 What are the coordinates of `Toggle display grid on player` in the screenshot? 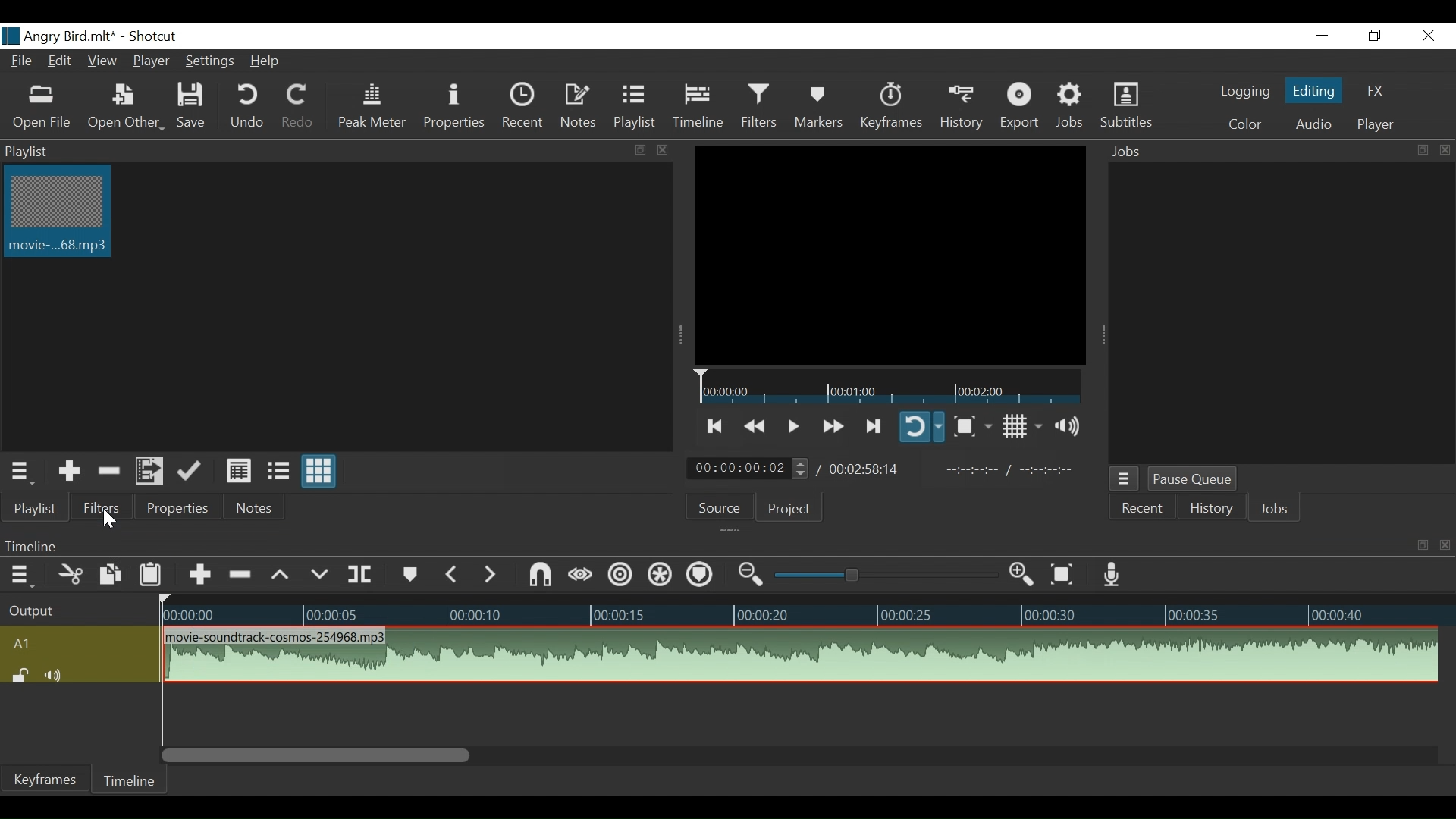 It's located at (1021, 428).